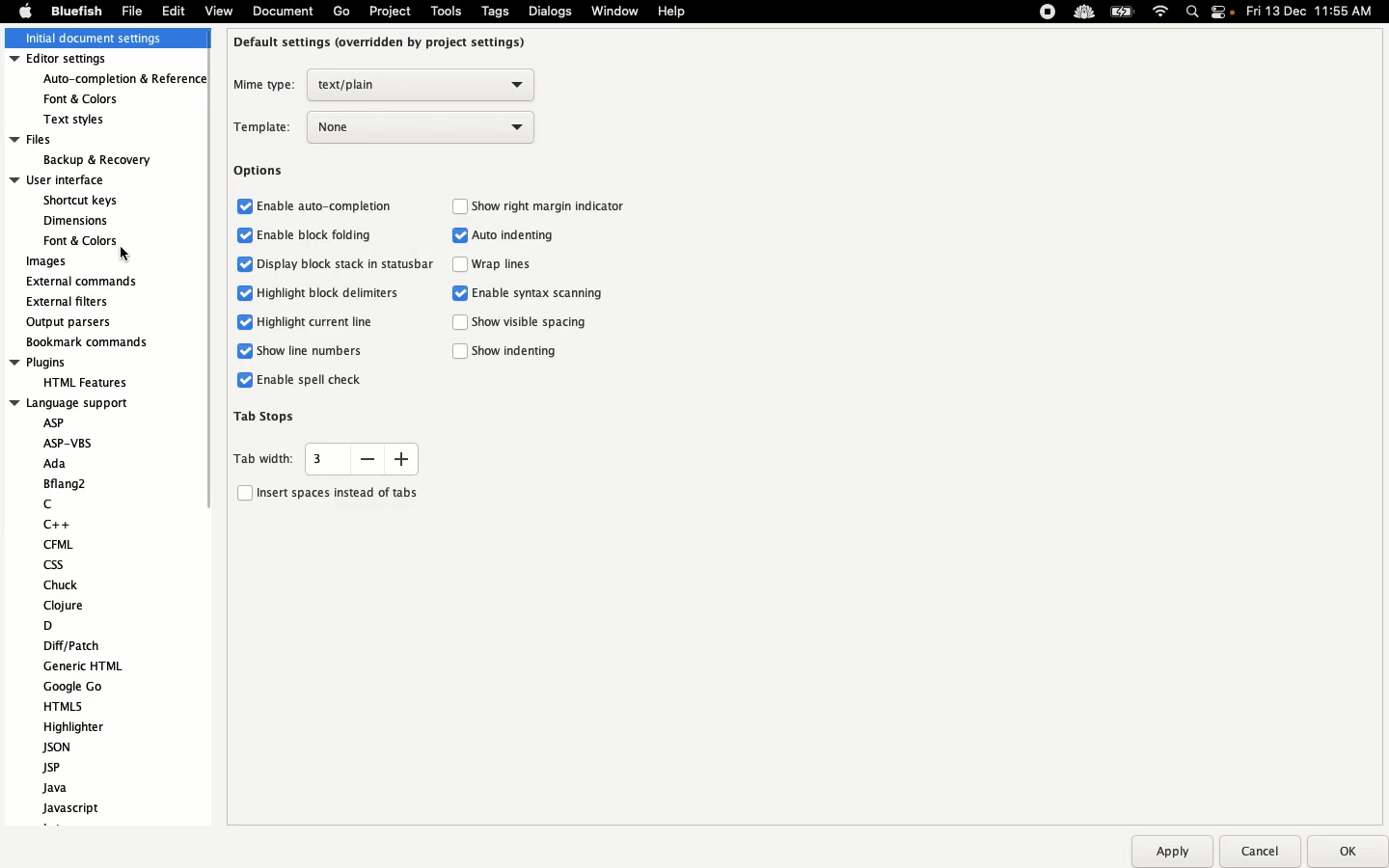 The image size is (1389, 868). I want to click on language support, so click(71, 402).